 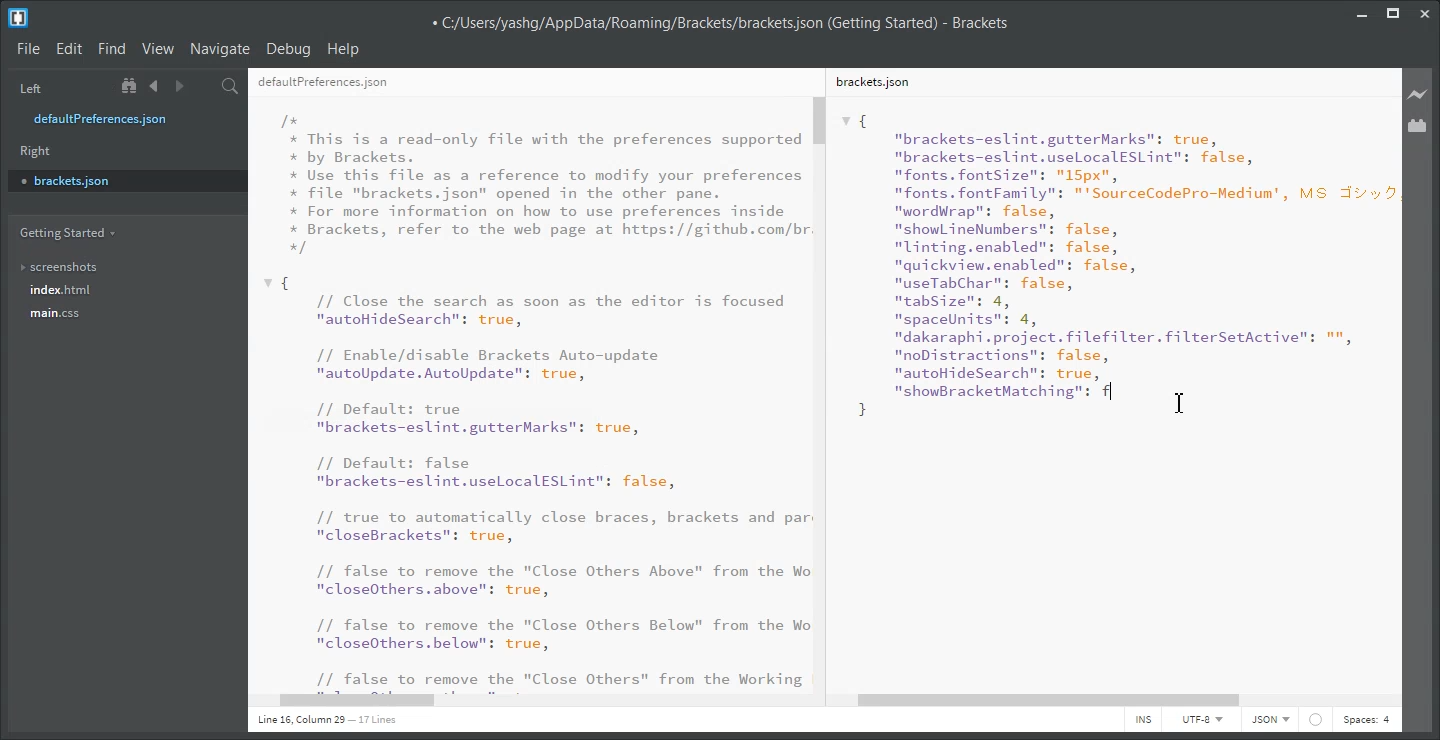 I want to click on File, so click(x=28, y=50).